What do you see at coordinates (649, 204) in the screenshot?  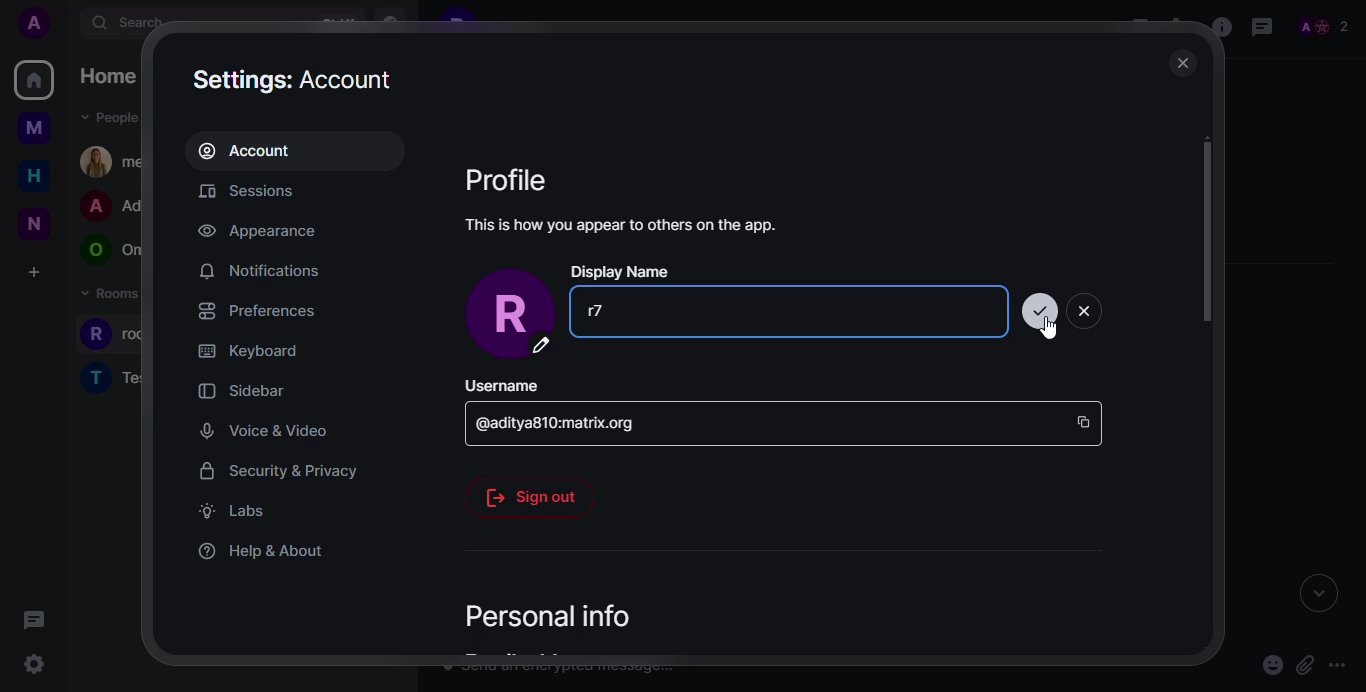 I see `Profile
This is how you appear to others on the app.` at bounding box center [649, 204].